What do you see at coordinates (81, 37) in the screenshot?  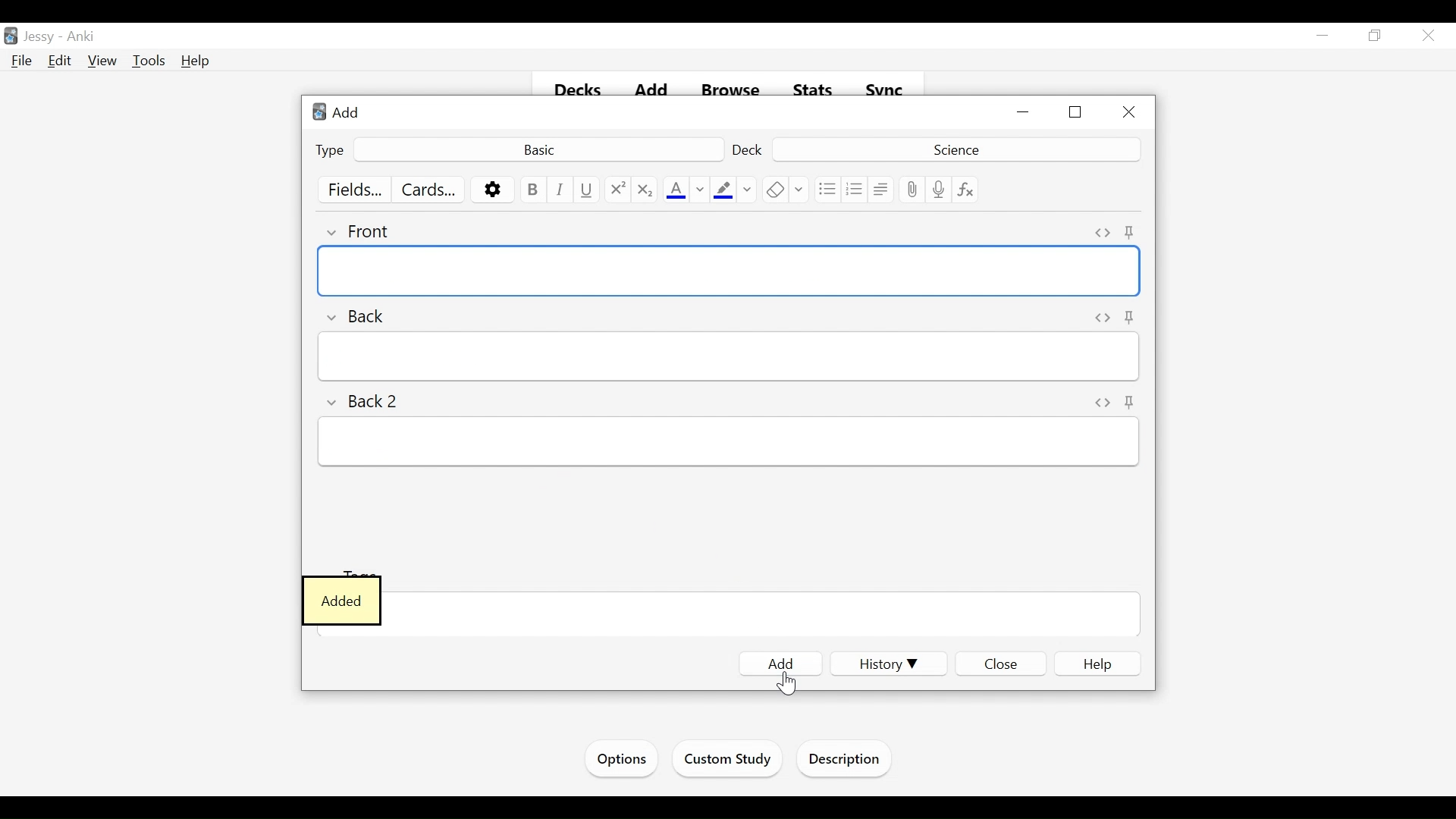 I see `Anki` at bounding box center [81, 37].